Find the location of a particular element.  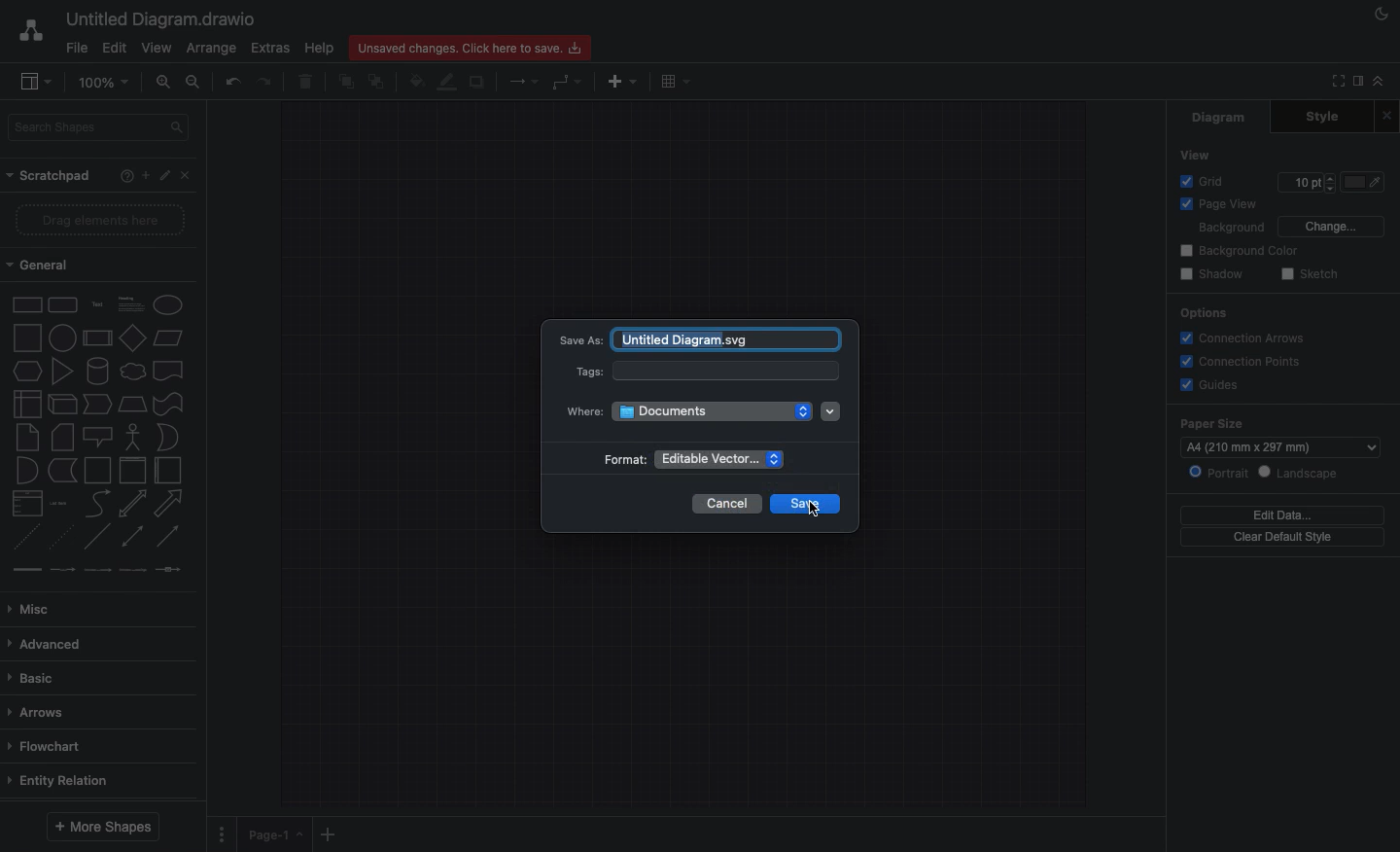

Guides is located at coordinates (1208, 386).